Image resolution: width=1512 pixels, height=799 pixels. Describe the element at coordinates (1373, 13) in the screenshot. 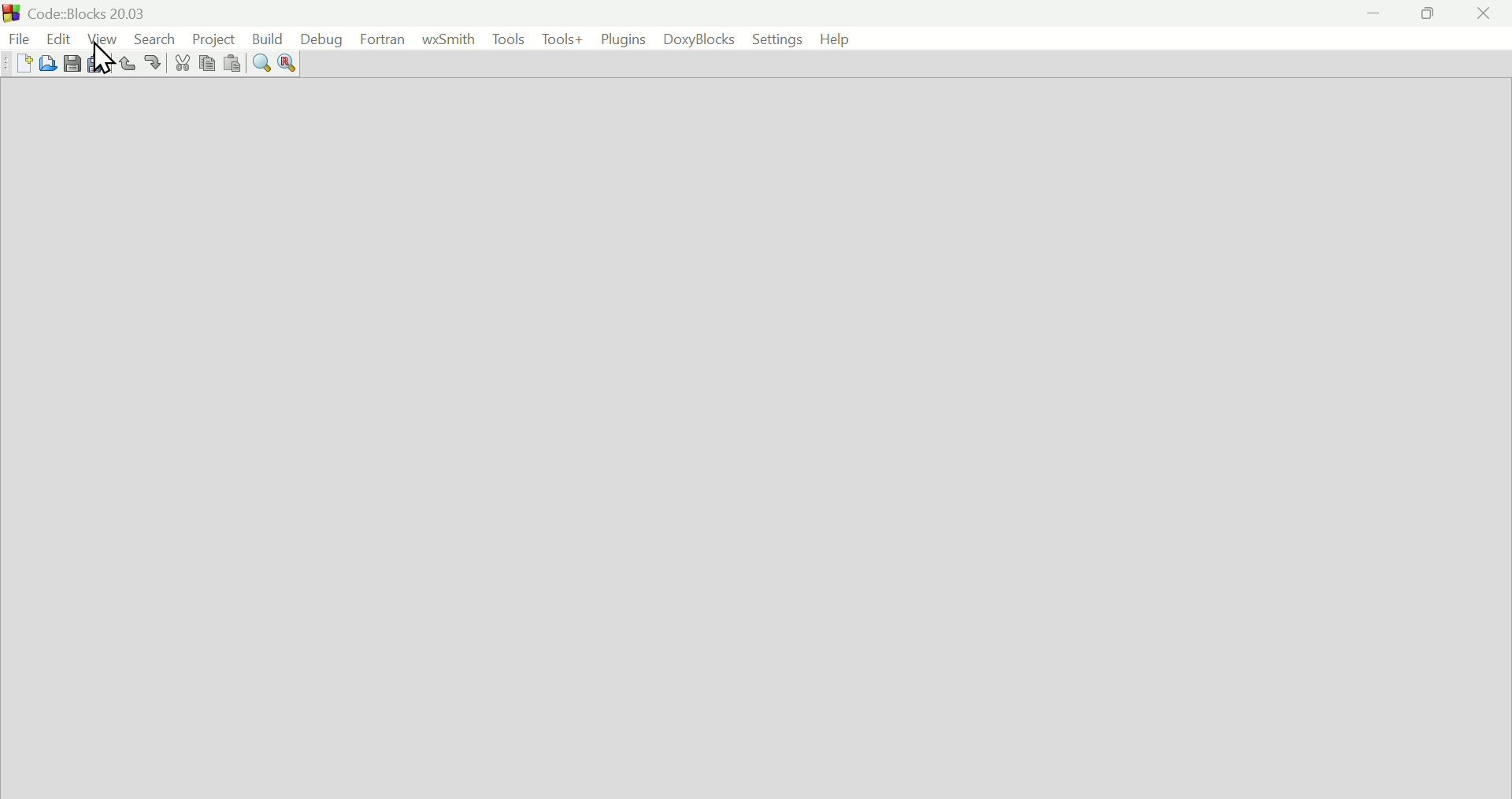

I see `minimize` at that location.